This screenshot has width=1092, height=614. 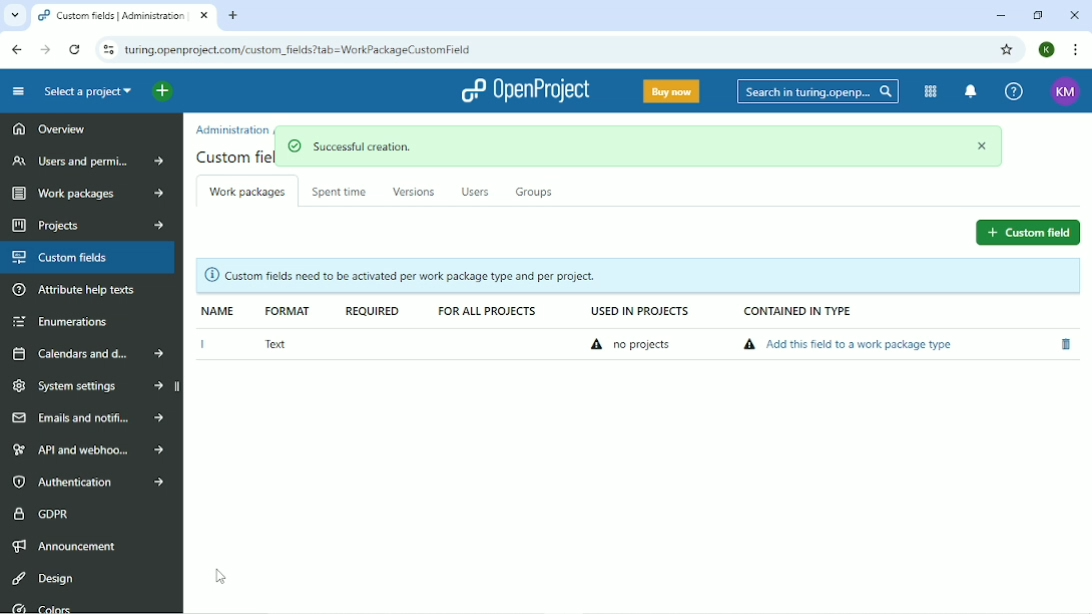 What do you see at coordinates (317, 51) in the screenshot?
I see `turing.openproject.com/projects/dd/settings/custom_fields` at bounding box center [317, 51].